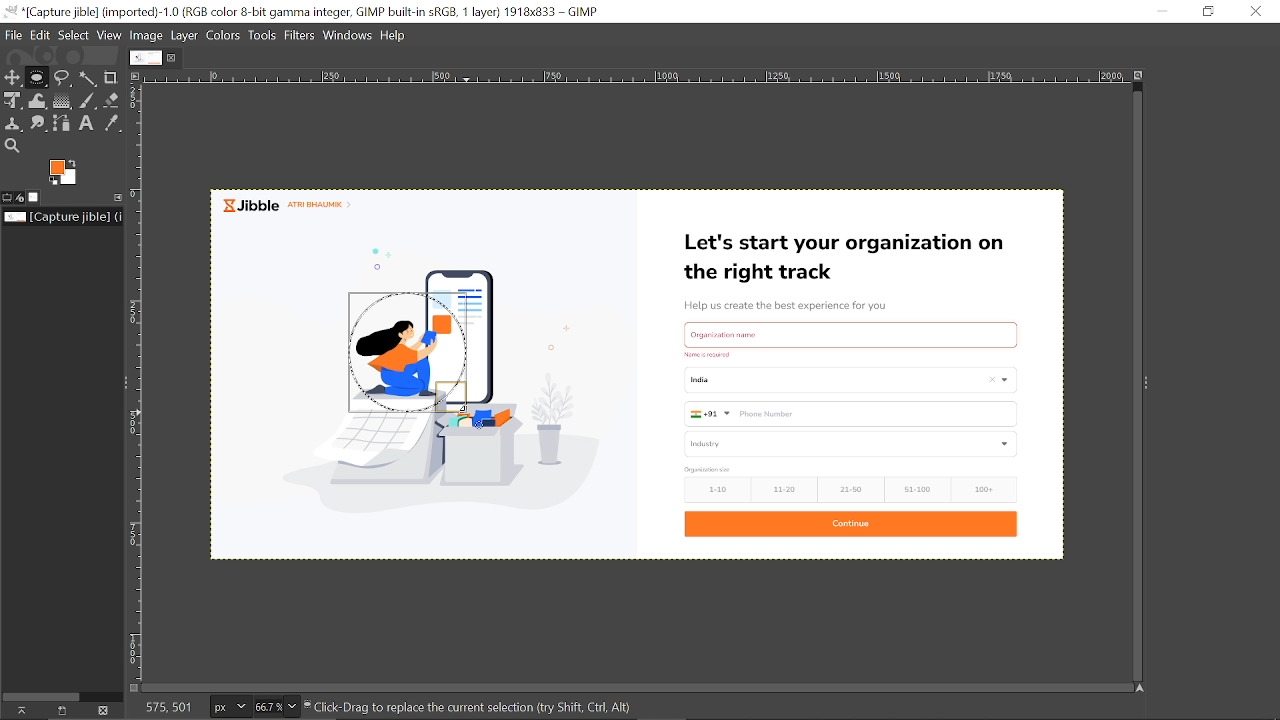 The image size is (1280, 720). I want to click on Smudge tool, so click(40, 123).